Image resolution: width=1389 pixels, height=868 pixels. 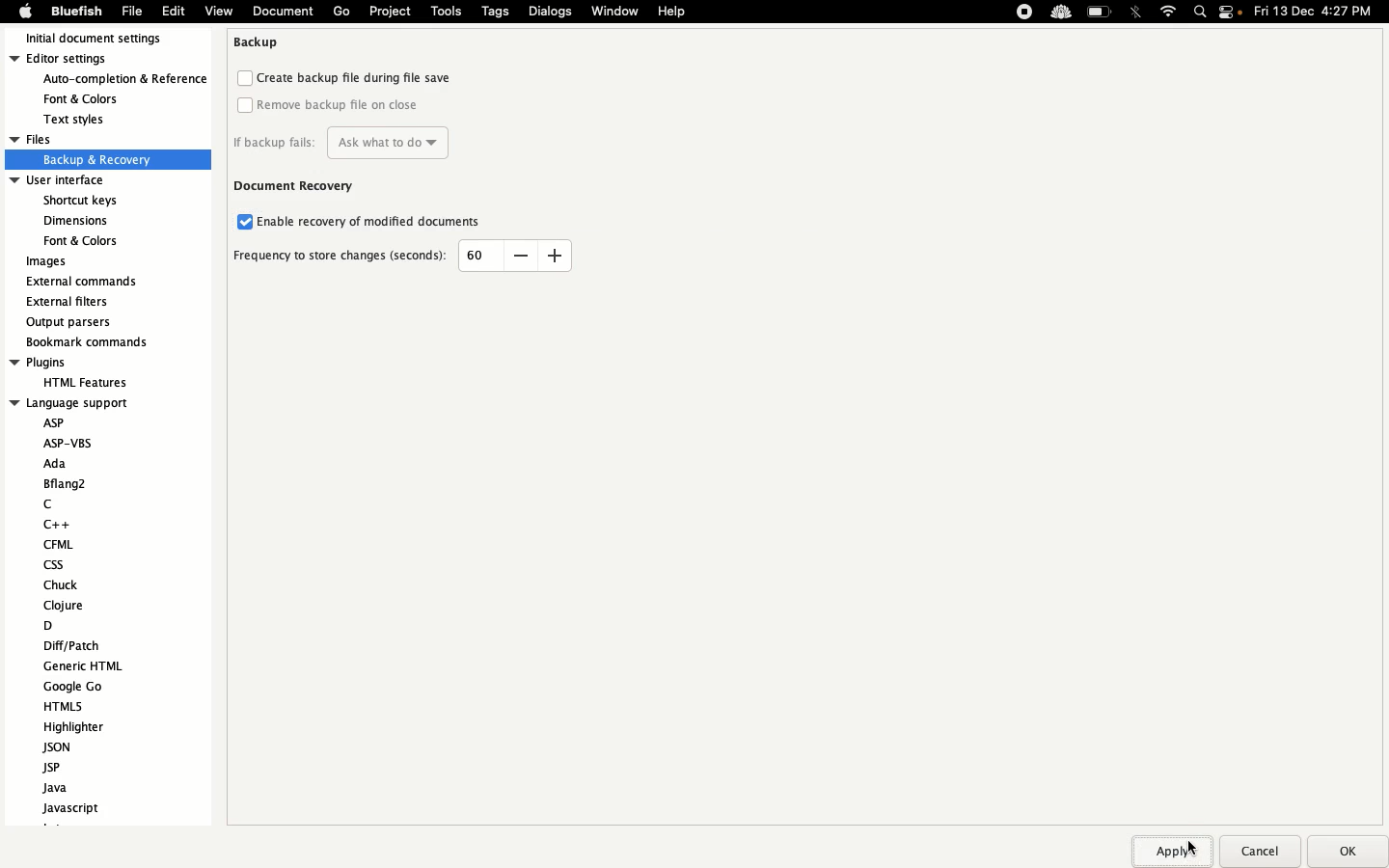 I want to click on Project , so click(x=392, y=13).